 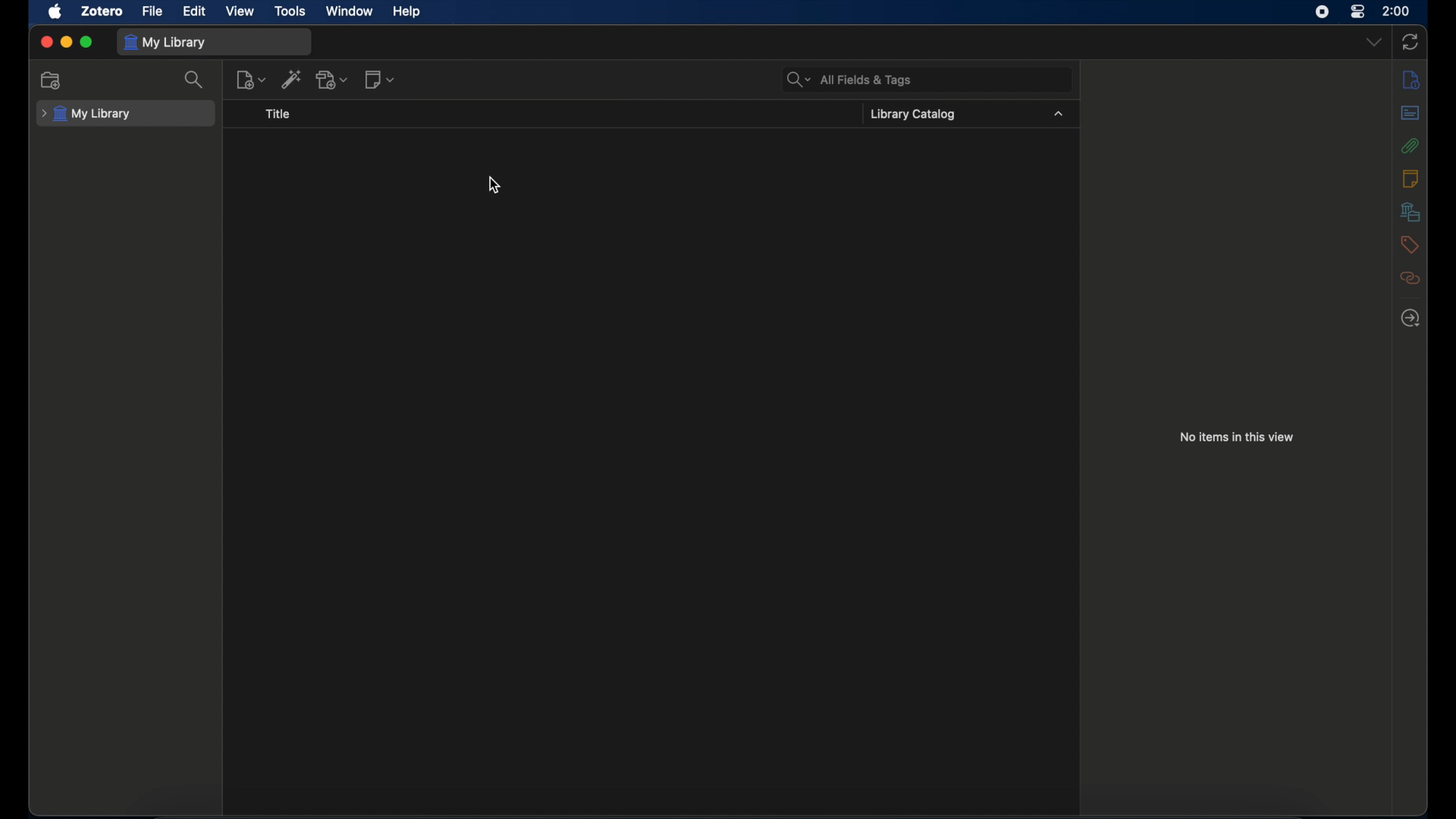 I want to click on library catalog, so click(x=913, y=115).